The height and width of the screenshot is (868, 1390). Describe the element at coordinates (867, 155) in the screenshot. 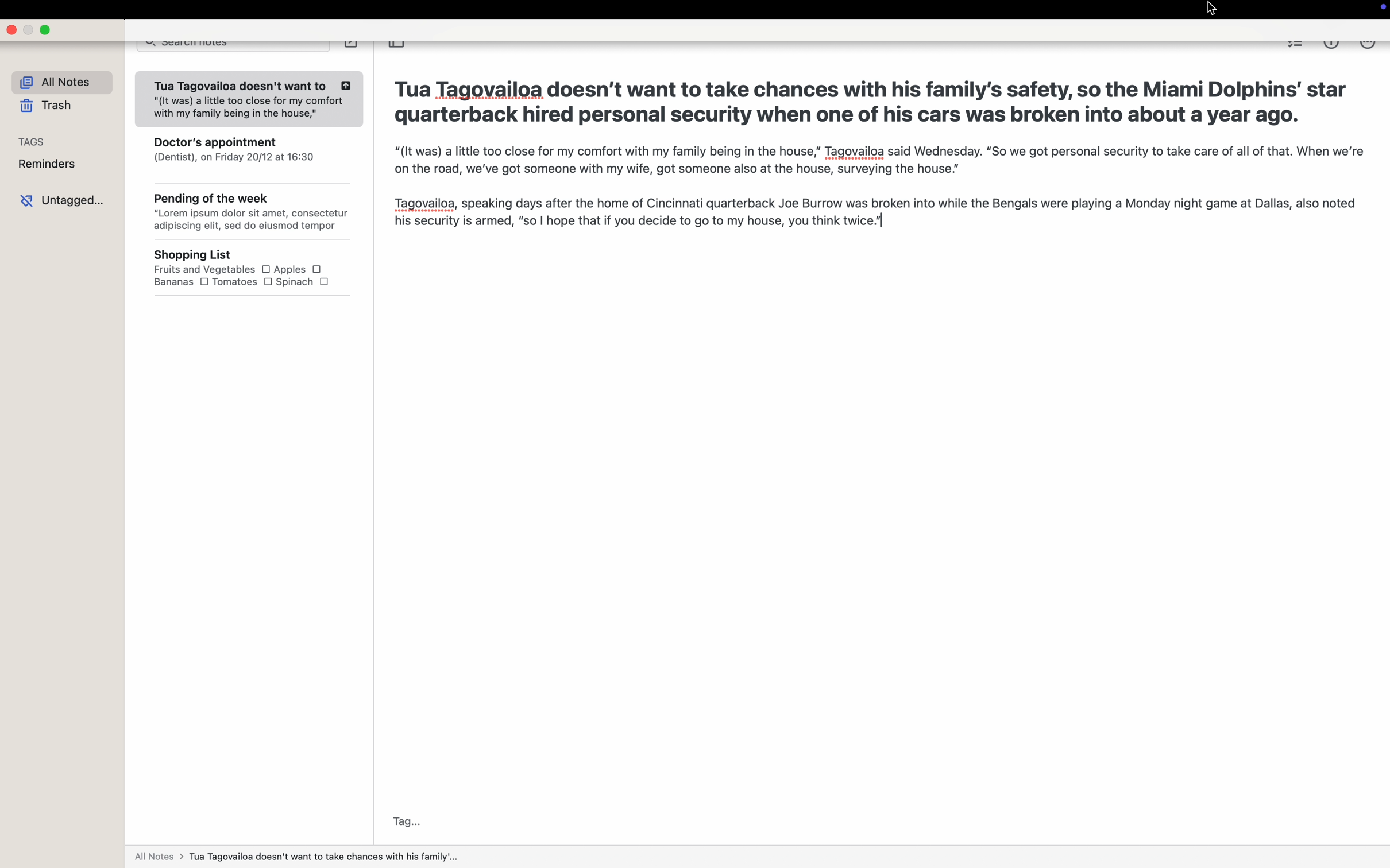

I see `Tua Tagovailoa doesn’t want to take chances with his family's safety, so the Miami Dolphins’ star
quarterback hired personal security when one of his cars was broken into about a year ago.

"(It was) a little too close for my comfort with my family being in the house,” Tagovailoa said Wednesday. “So we got personal security to take care of all of that. When we're
on the road, we've got someone with my wife, got someone also at the house, surveying the house.”

Tagovailoa, speaking days after the home of Cincinnati quarterback Joe Burrow was broken into while the Bengals were playing a Monday night game at Dallas, also noted
his security is armed, “so | hope that if you decide to go to my house, you think twice]` at that location.